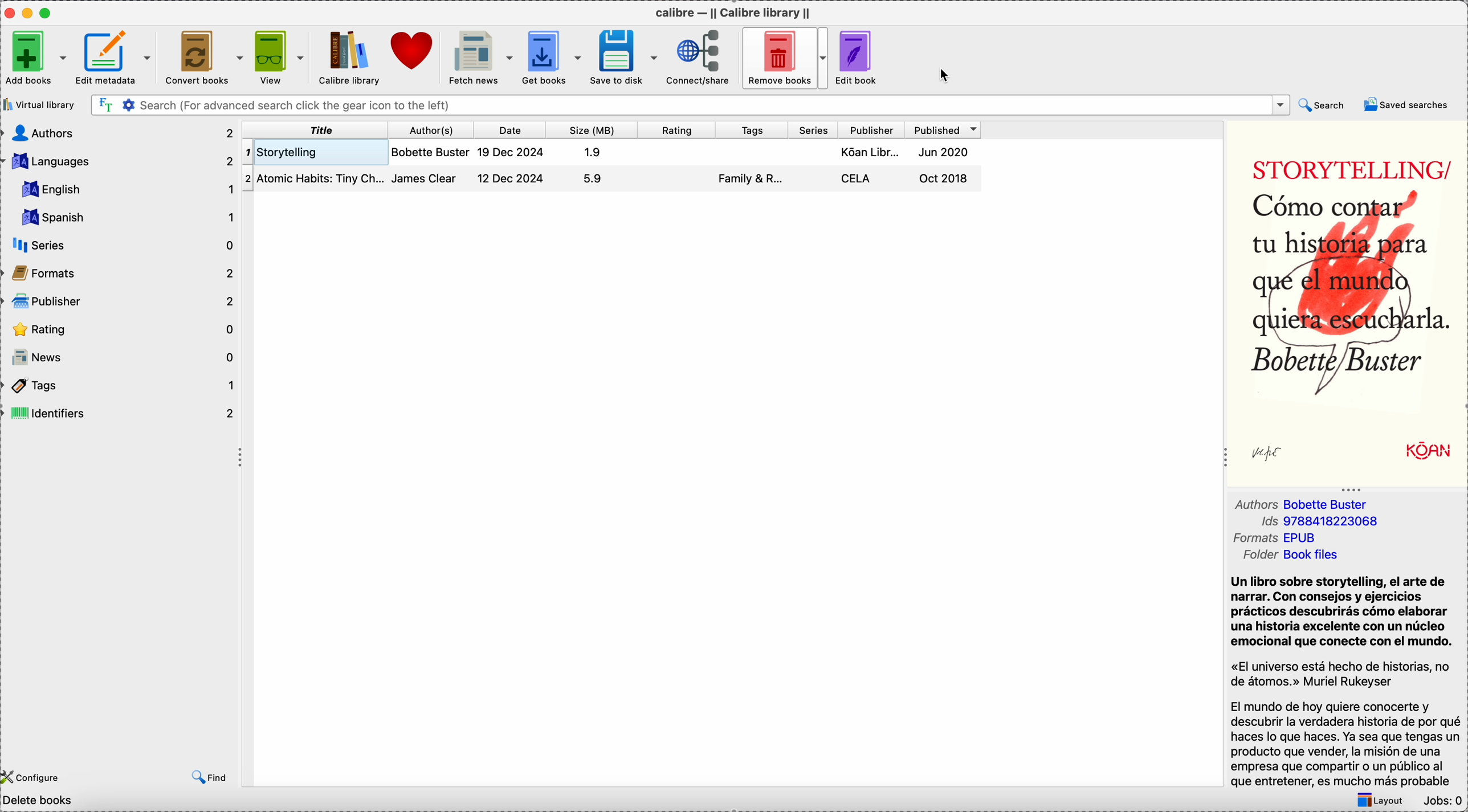 The image size is (1468, 812). I want to click on Ids 9788418223068, so click(1316, 521).